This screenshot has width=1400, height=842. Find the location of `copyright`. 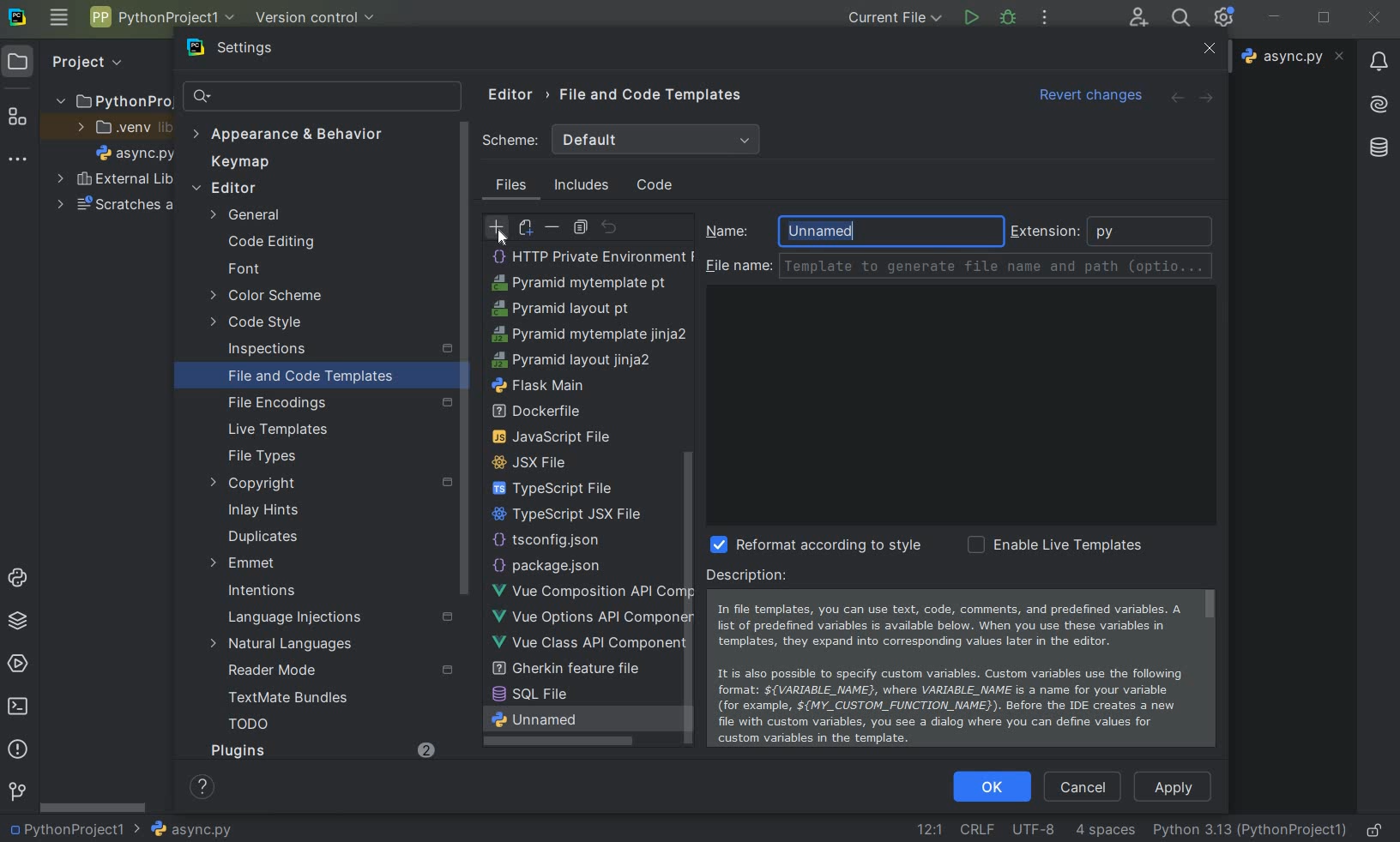

copyright is located at coordinates (327, 485).